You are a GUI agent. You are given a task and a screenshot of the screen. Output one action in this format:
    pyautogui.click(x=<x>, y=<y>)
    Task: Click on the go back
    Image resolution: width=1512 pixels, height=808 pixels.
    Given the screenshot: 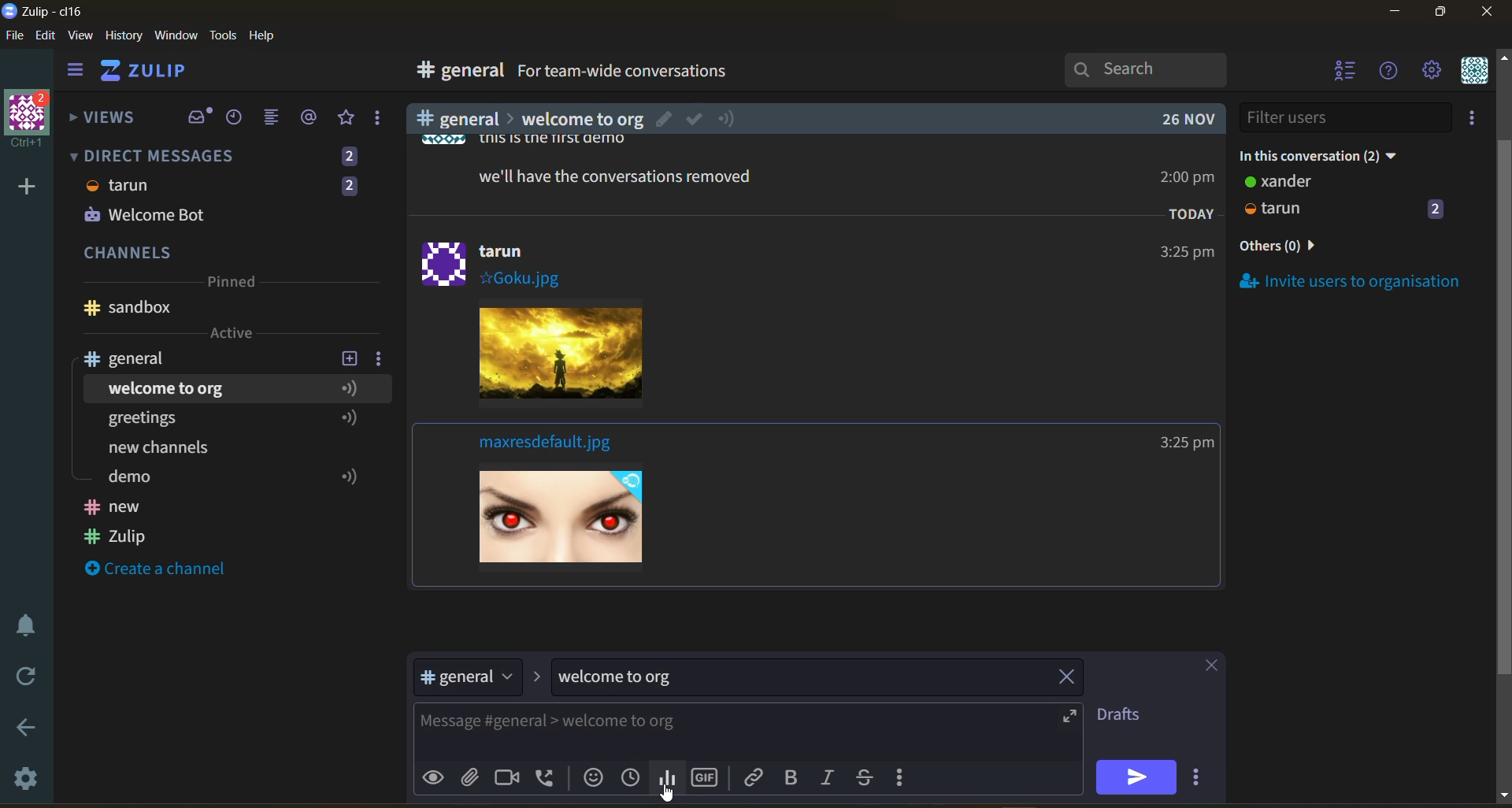 What is the action you would take?
    pyautogui.click(x=24, y=728)
    